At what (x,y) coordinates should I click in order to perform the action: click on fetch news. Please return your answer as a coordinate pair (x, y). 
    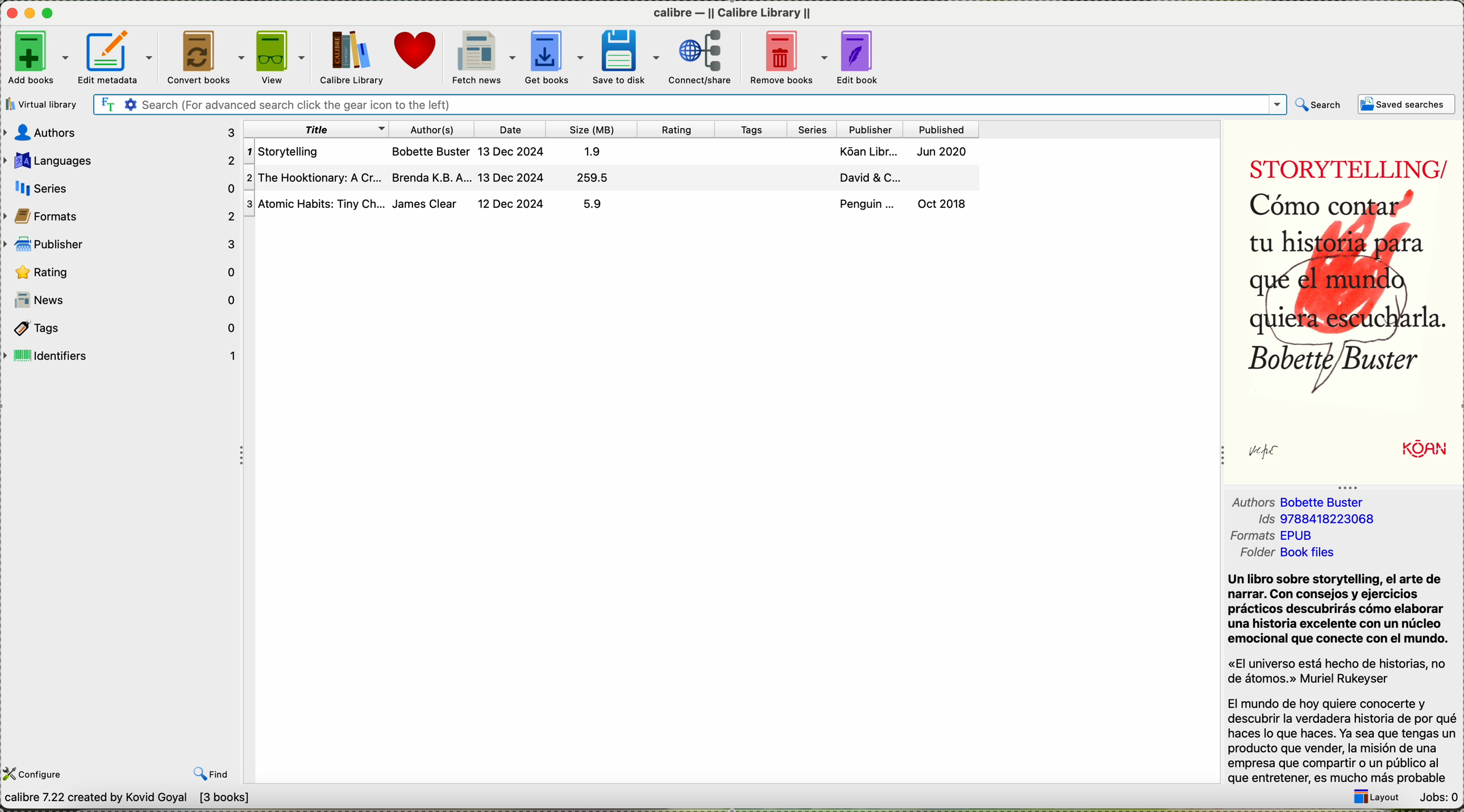
    Looking at the image, I should click on (482, 57).